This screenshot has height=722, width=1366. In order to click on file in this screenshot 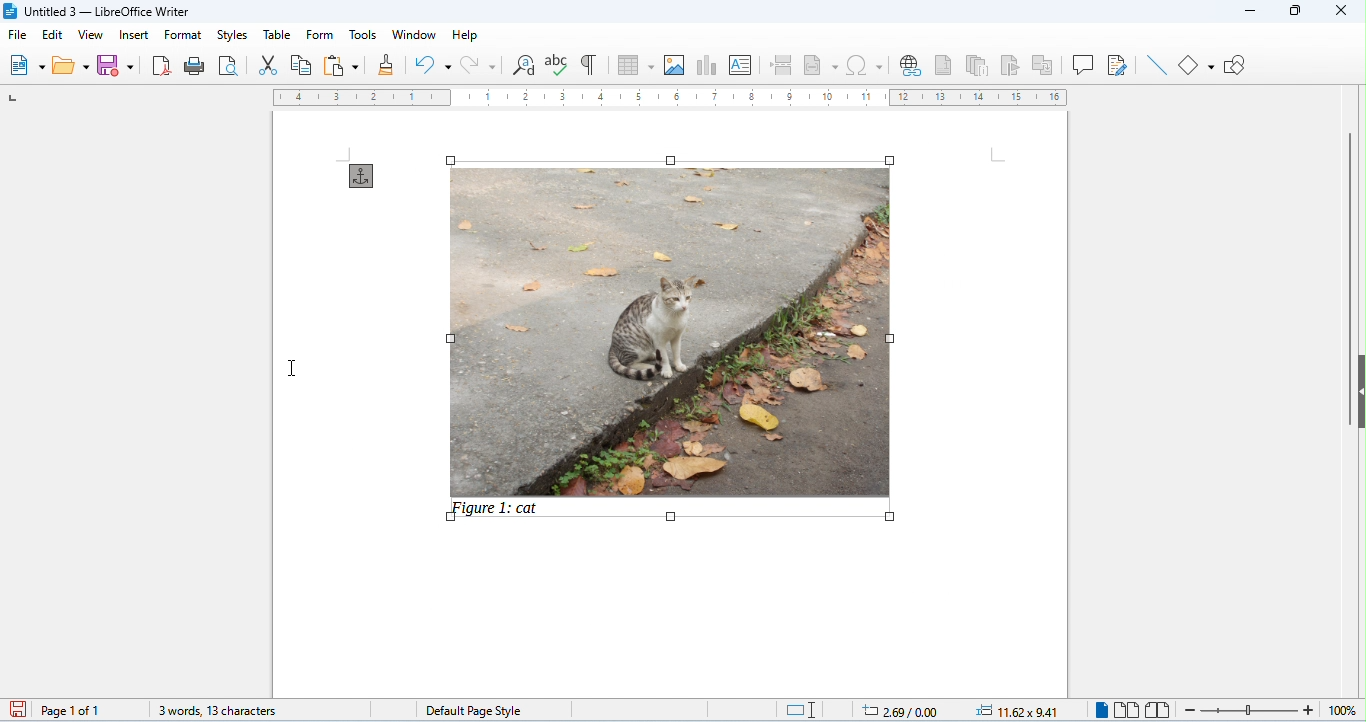, I will do `click(17, 36)`.